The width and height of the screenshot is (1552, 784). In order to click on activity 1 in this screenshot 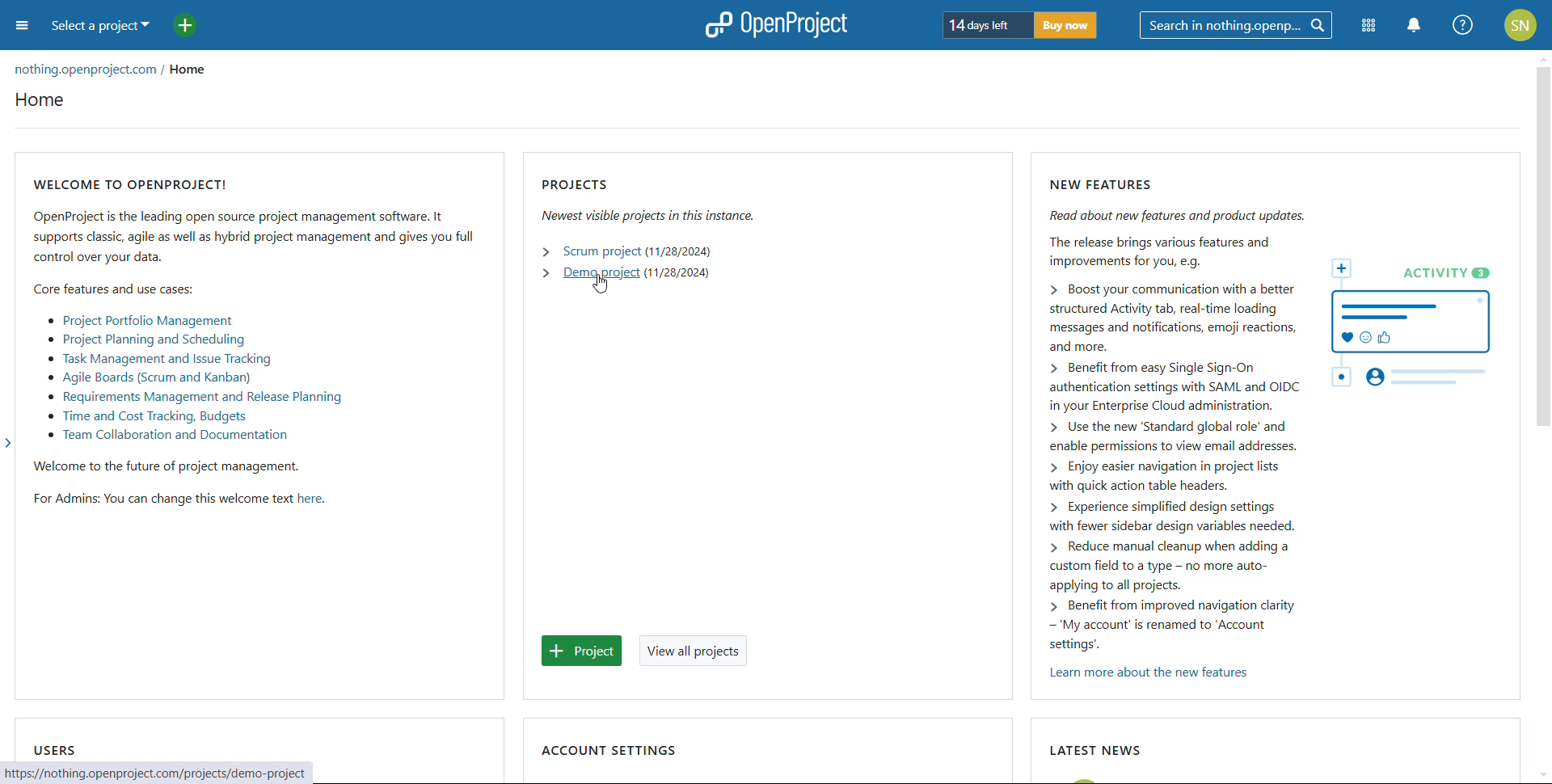, I will do `click(1411, 314)`.